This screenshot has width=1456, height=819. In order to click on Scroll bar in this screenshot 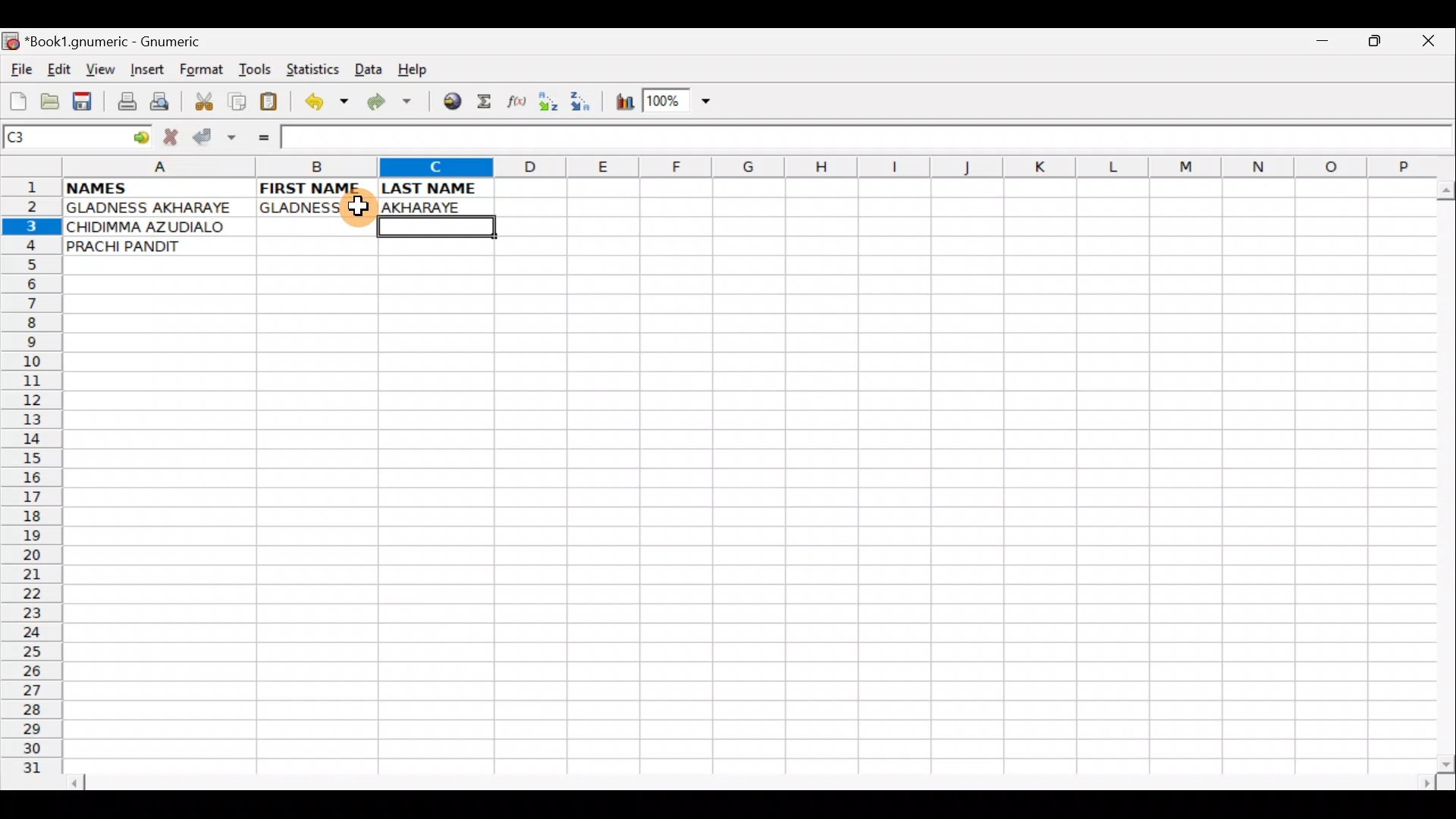, I will do `click(1442, 473)`.